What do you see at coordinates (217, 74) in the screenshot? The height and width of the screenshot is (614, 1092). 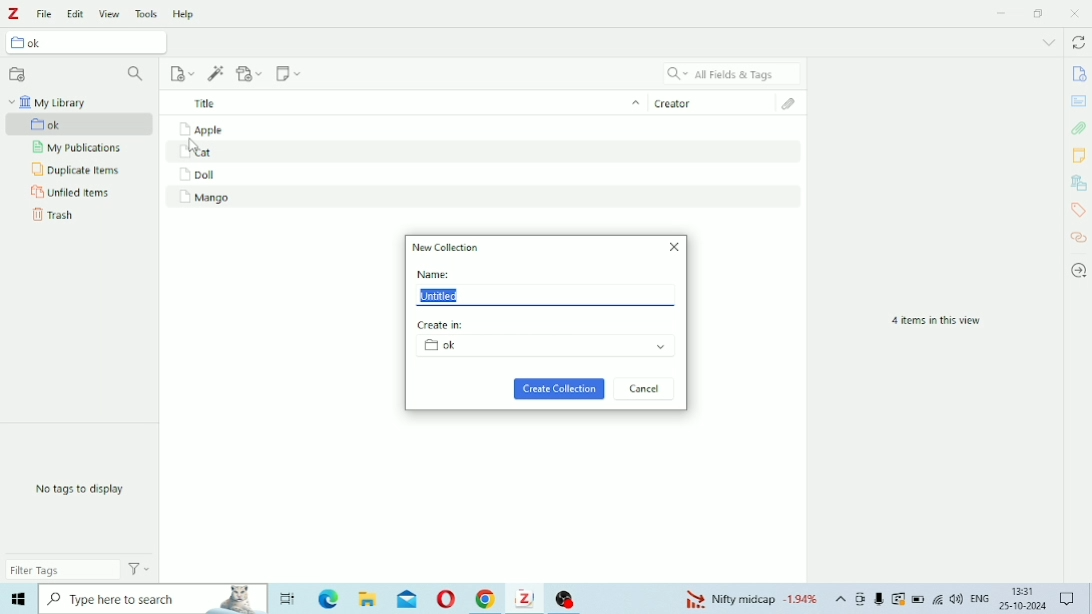 I see `Add Item (s) by Identifier` at bounding box center [217, 74].